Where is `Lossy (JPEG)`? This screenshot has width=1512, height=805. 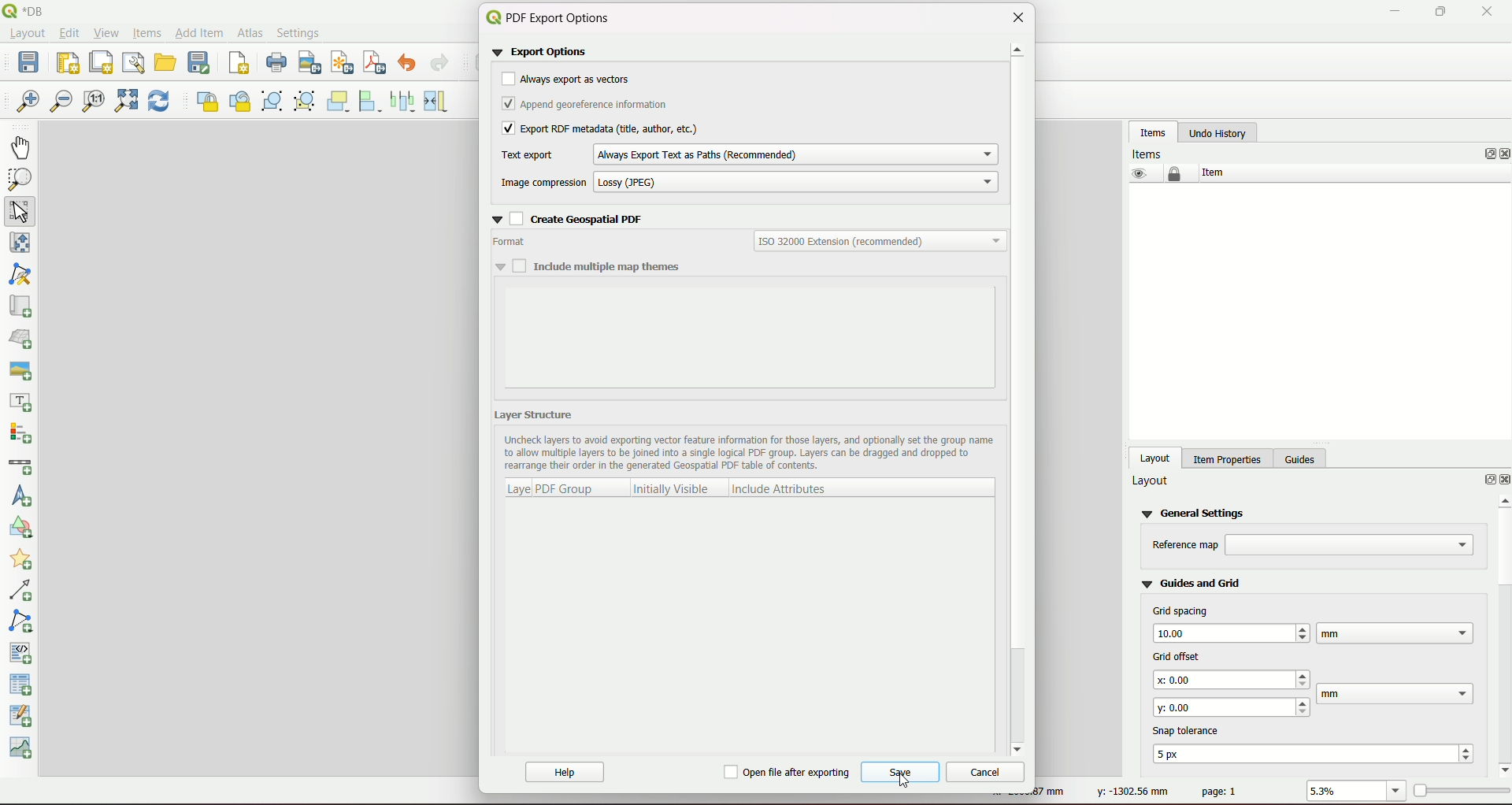
Lossy (JPEG) is located at coordinates (797, 182).